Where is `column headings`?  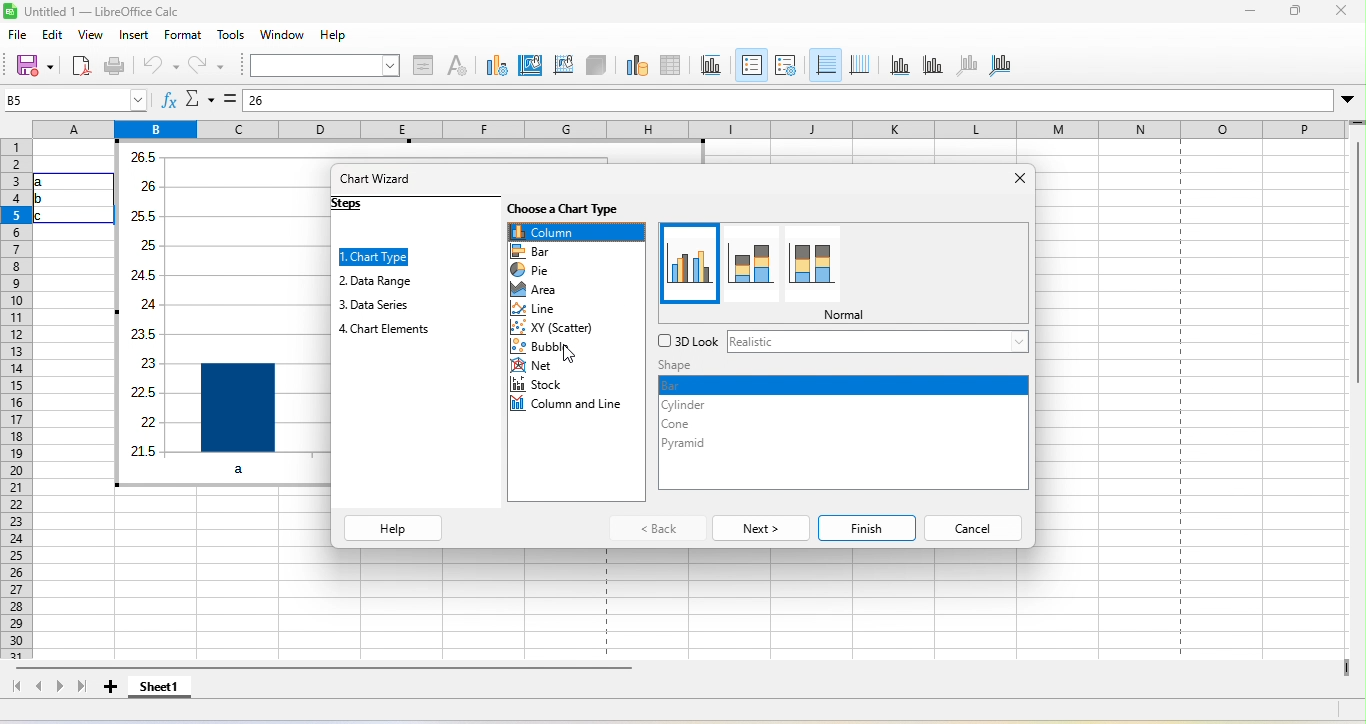 column headings is located at coordinates (687, 128).